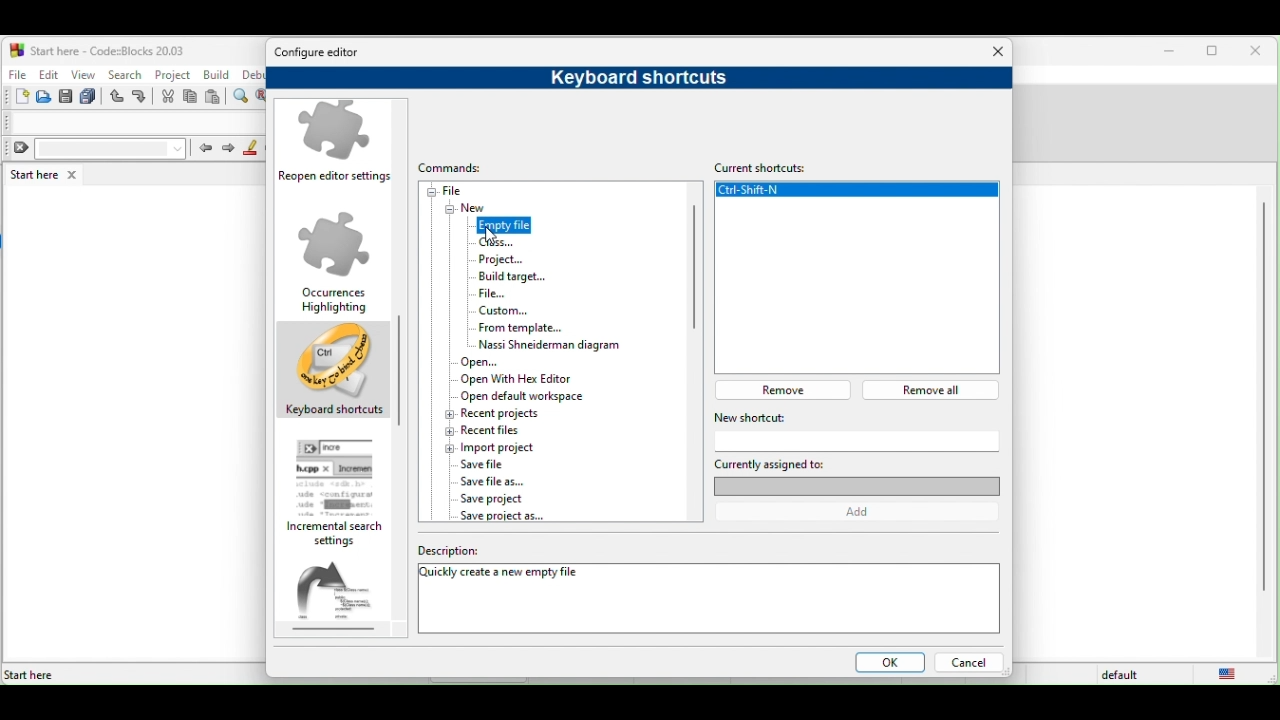  I want to click on reopen editor settings, so click(338, 145).